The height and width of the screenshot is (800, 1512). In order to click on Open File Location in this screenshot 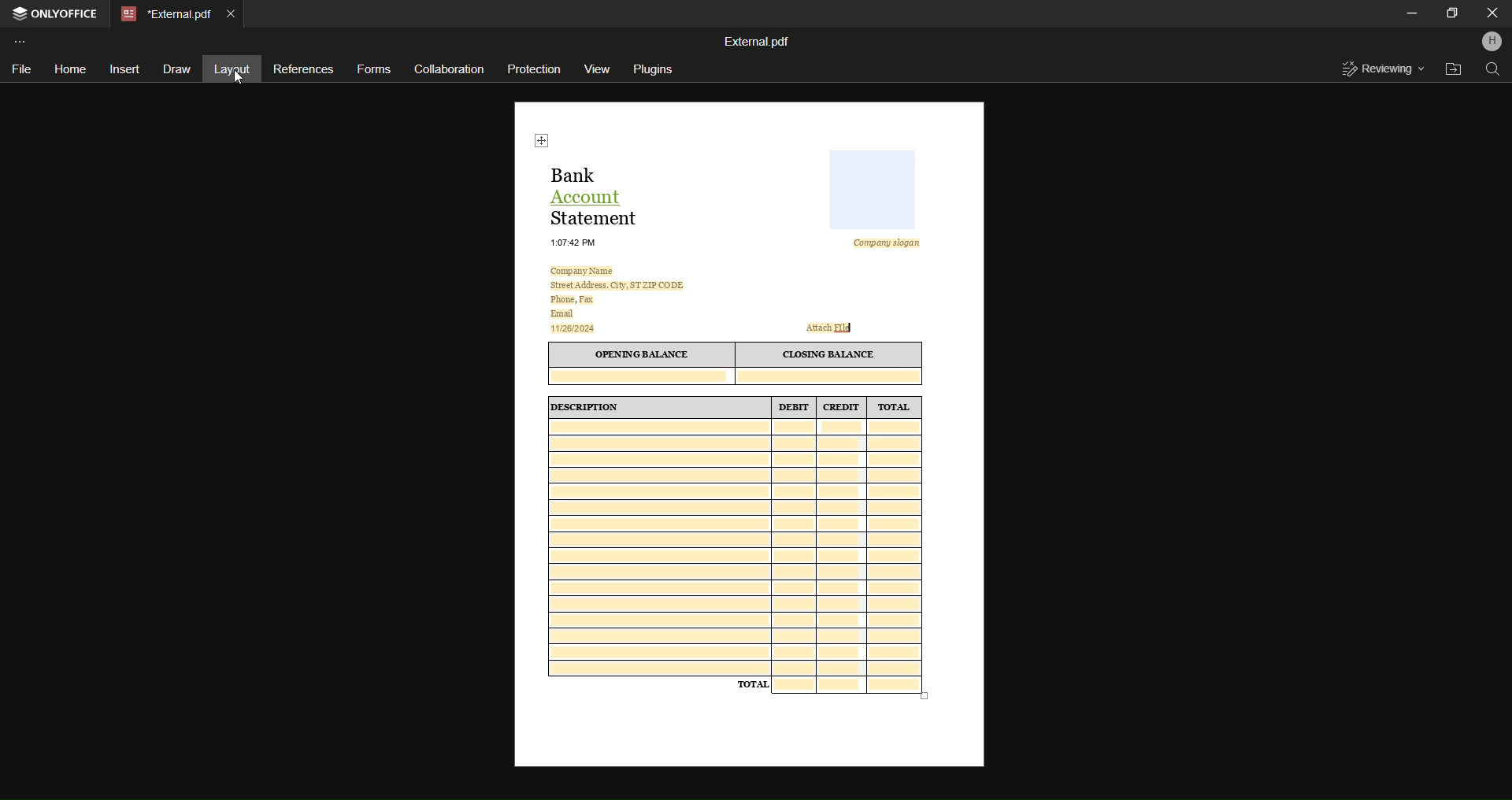, I will do `click(1451, 69)`.